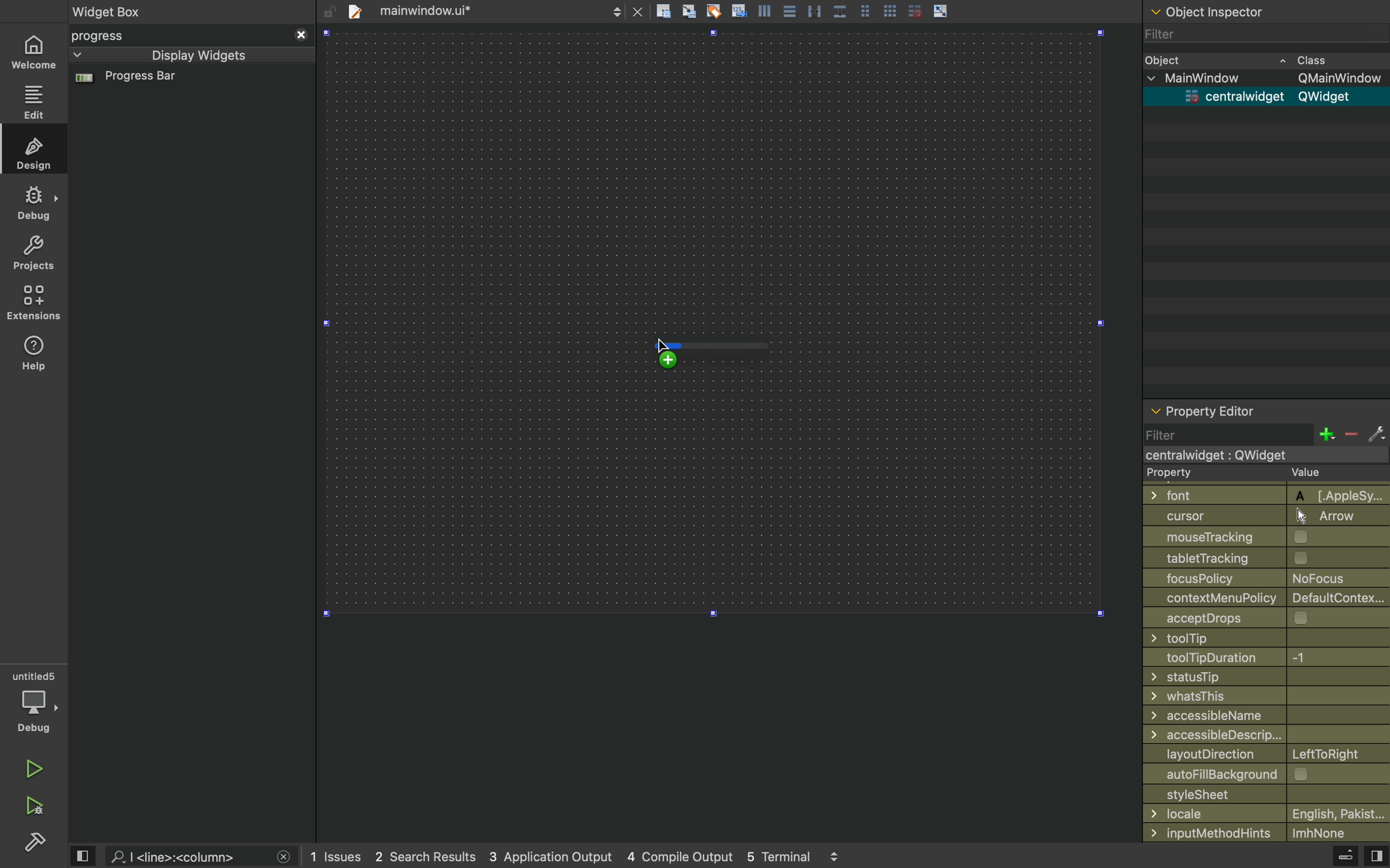 This screenshot has height=868, width=1390. Describe the element at coordinates (1256, 474) in the screenshot. I see `property` at that location.